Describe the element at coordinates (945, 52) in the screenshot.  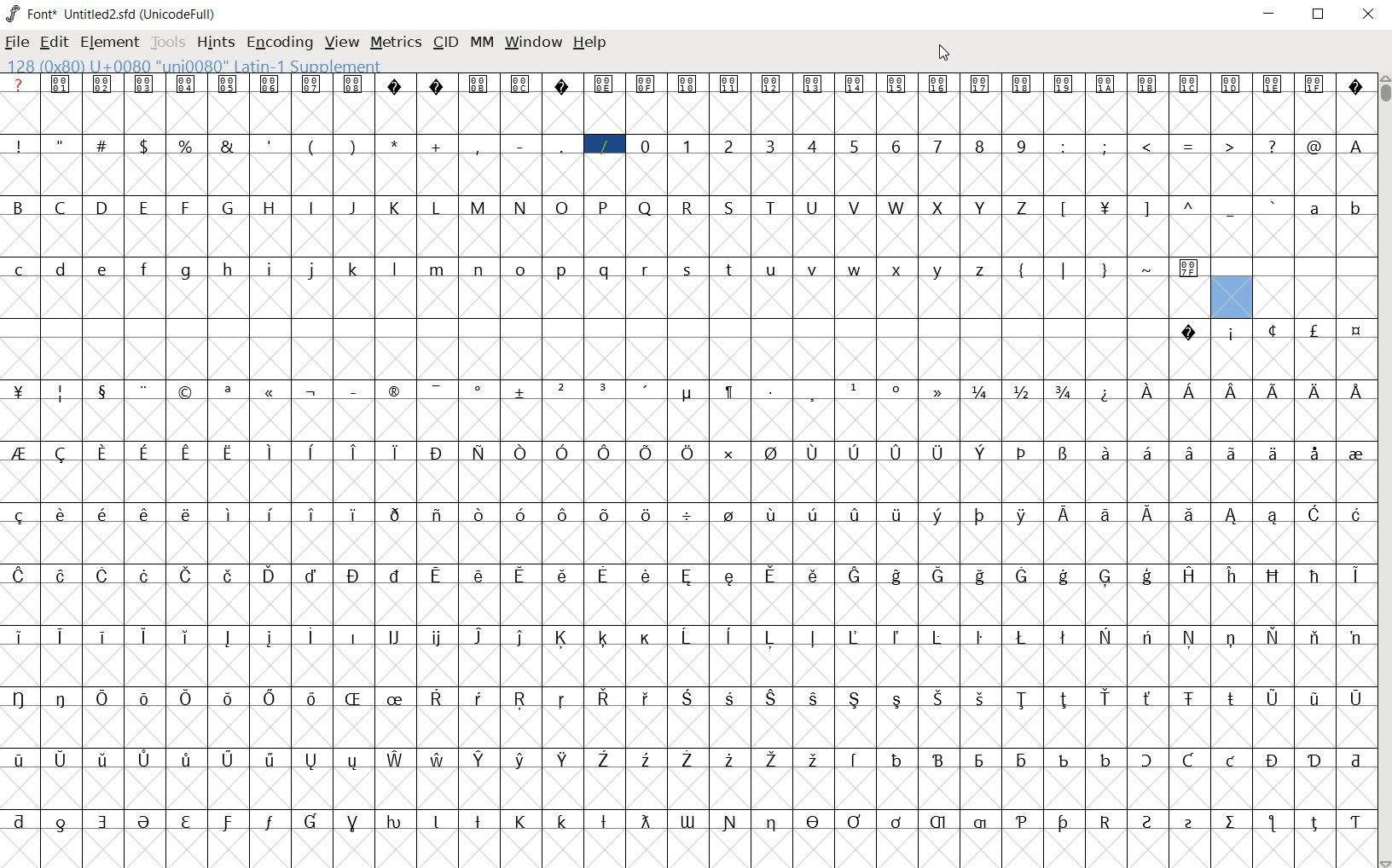
I see `CURSOR` at that location.